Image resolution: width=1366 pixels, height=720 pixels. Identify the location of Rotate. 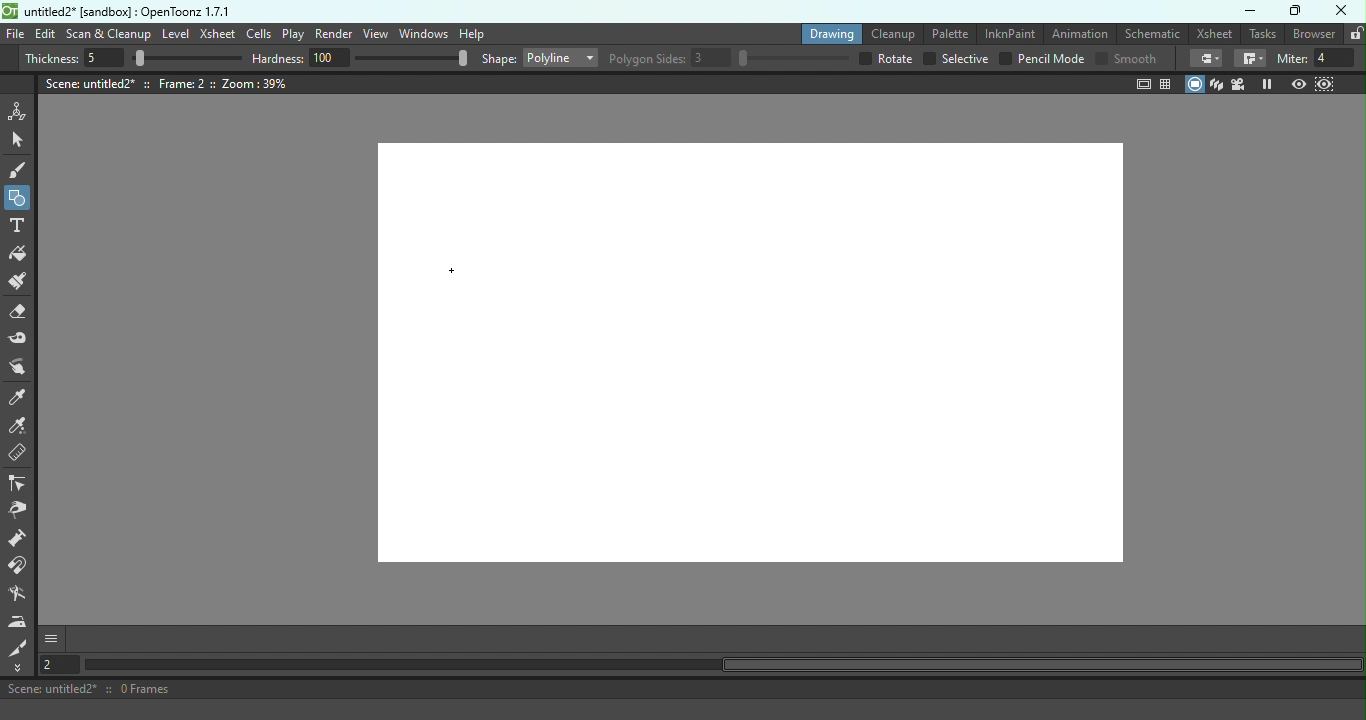
(886, 59).